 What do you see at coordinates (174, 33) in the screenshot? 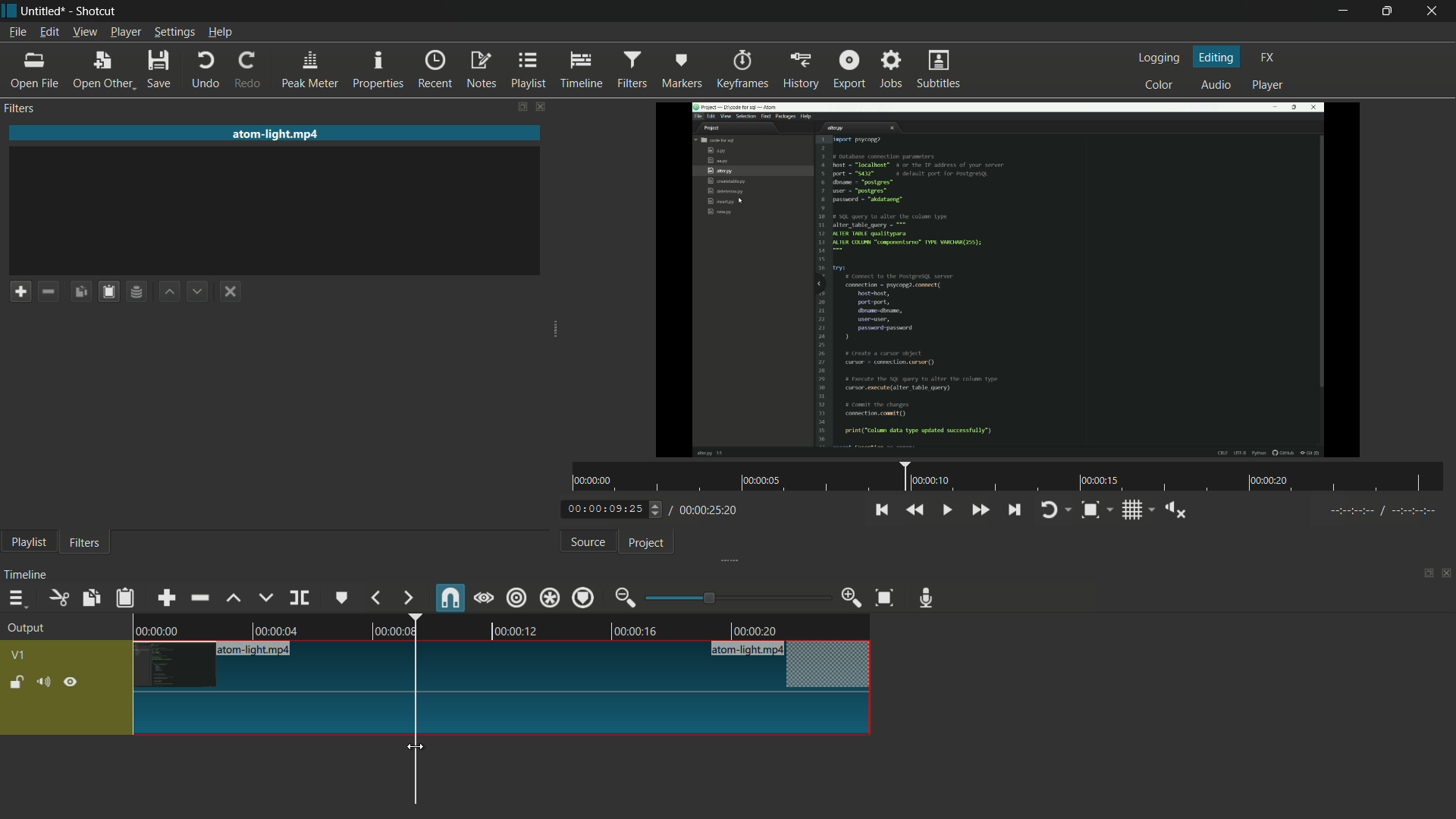
I see `settings menu` at bounding box center [174, 33].